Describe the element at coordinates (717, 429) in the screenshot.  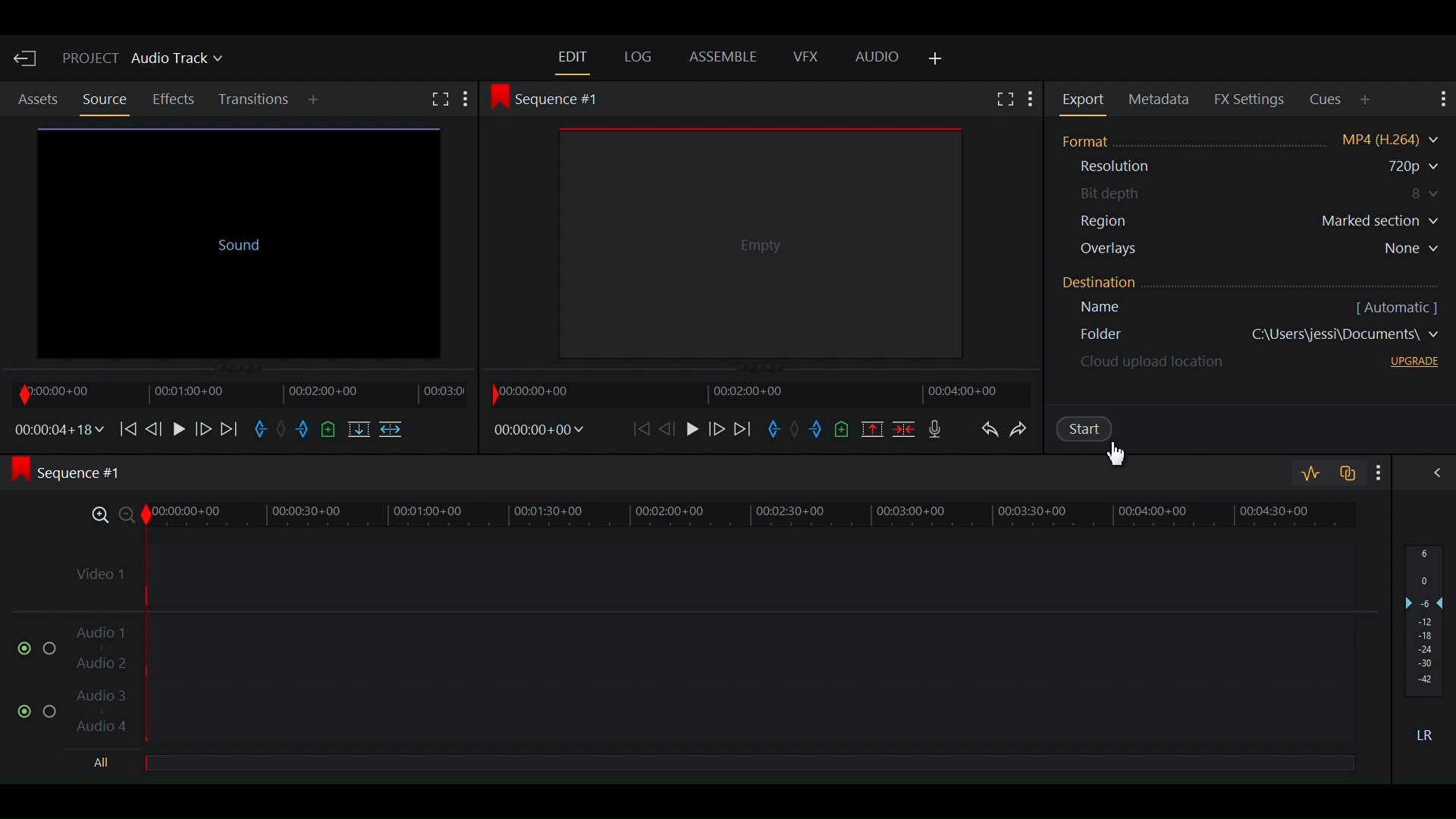
I see `Nudge one frame forward` at that location.